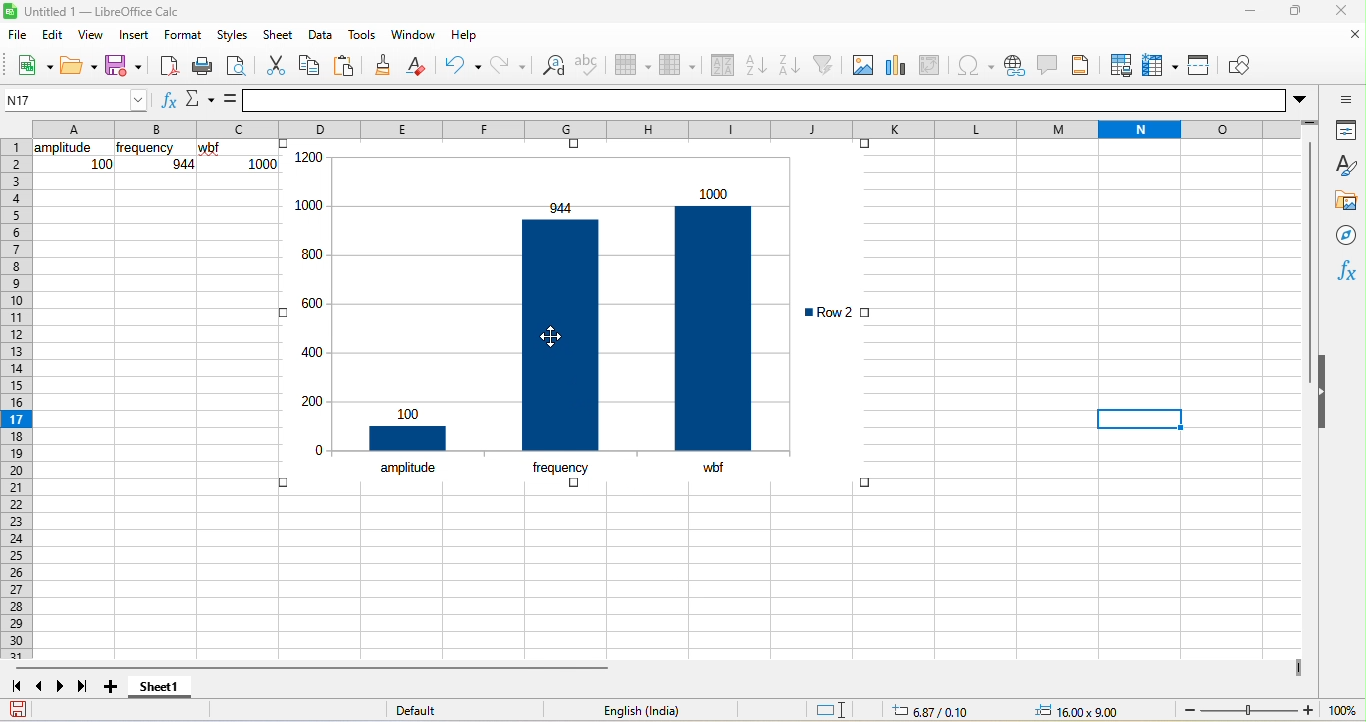 This screenshot has height=722, width=1366. Describe the element at coordinates (1345, 198) in the screenshot. I see `gallery` at that location.